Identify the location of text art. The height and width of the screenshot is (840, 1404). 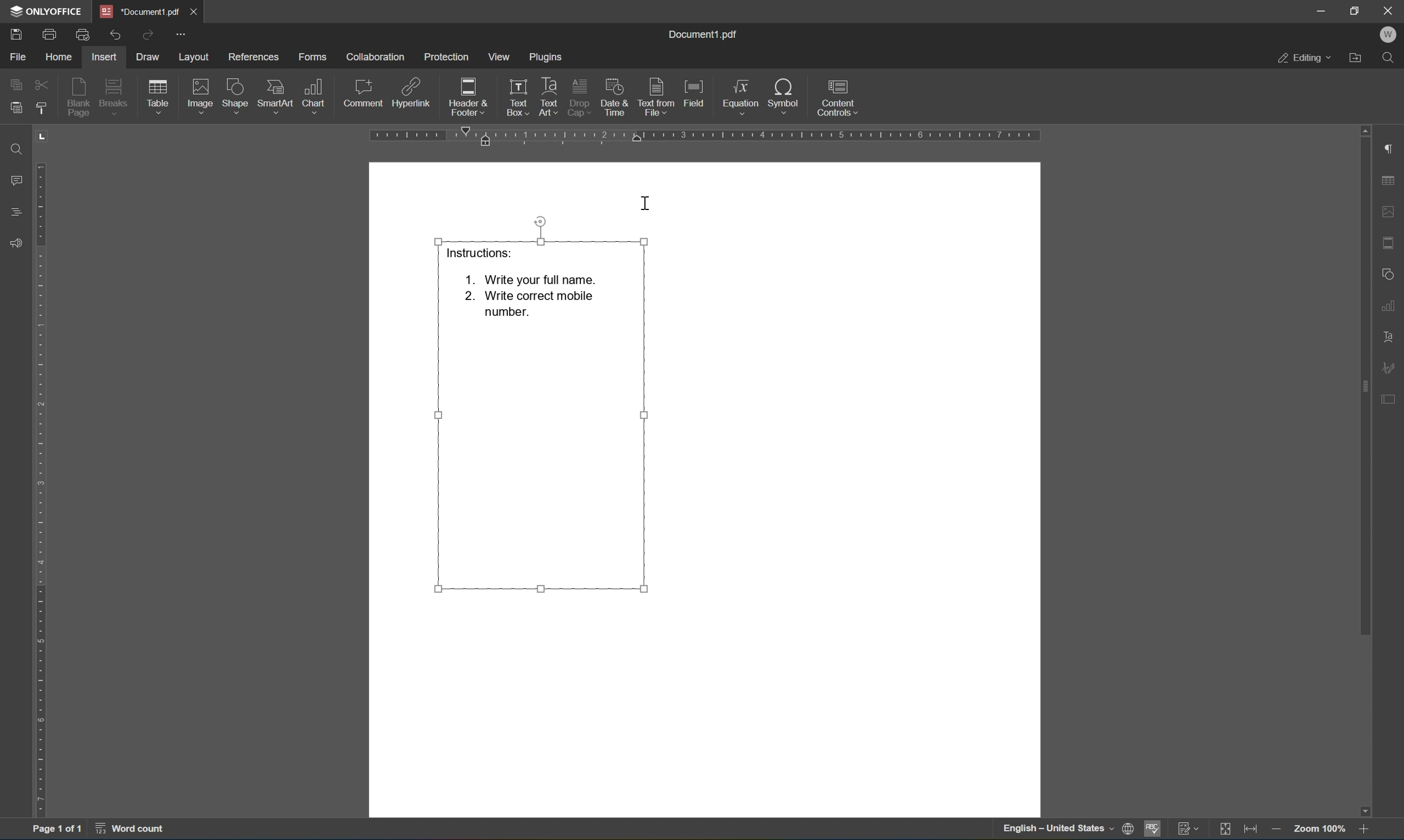
(549, 95).